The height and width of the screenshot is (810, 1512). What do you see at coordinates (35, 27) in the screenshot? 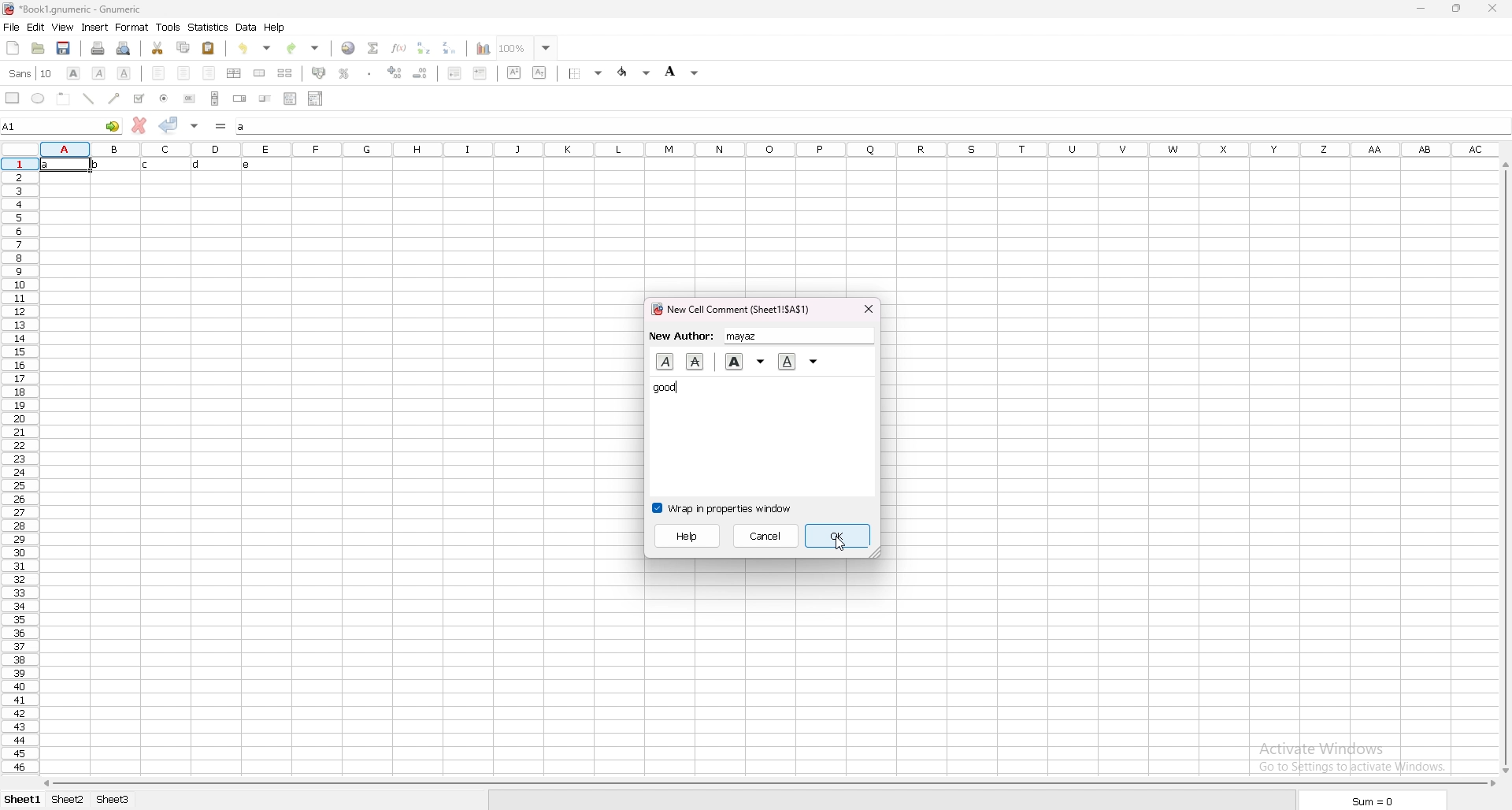
I see `edit` at bounding box center [35, 27].